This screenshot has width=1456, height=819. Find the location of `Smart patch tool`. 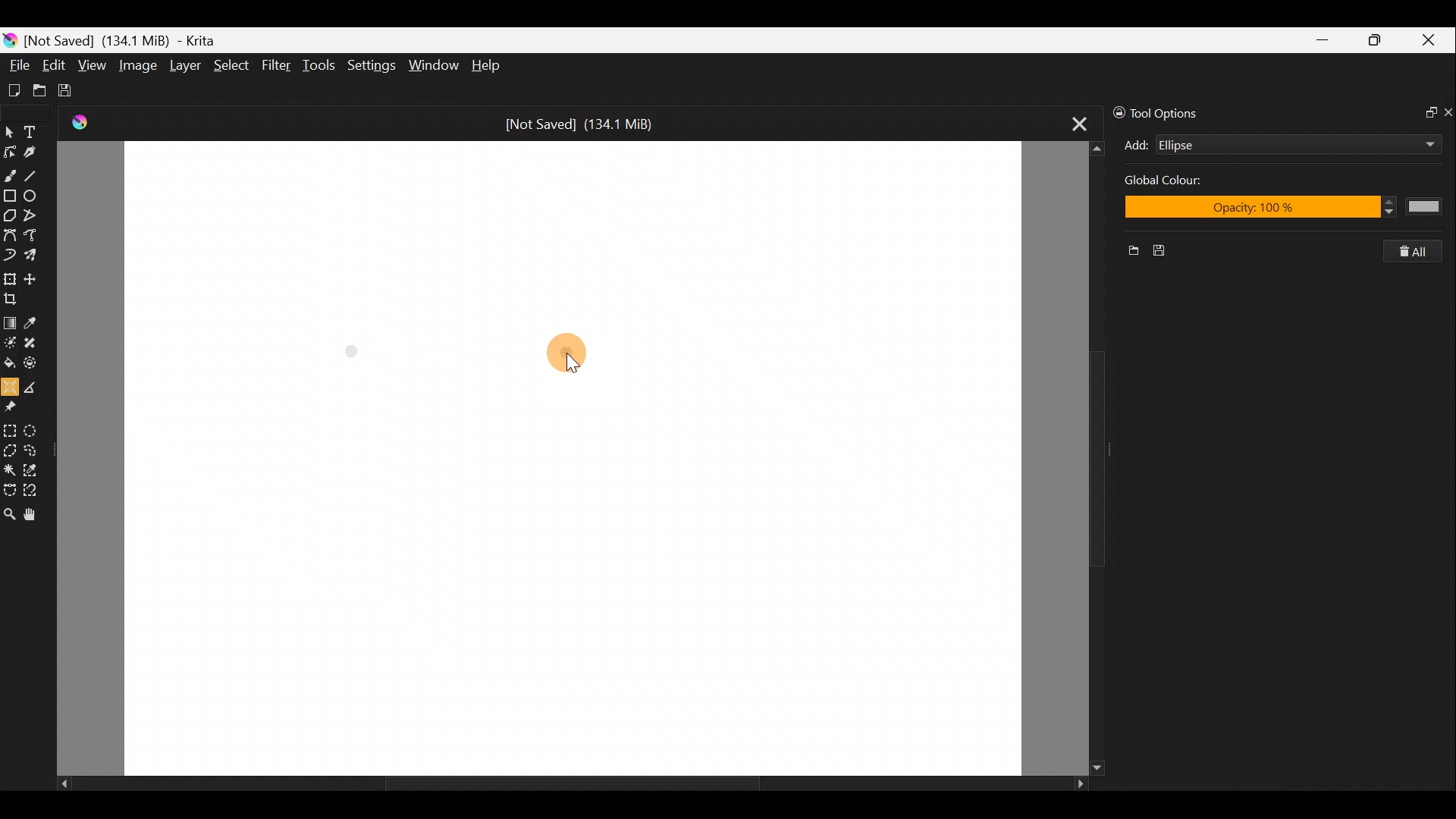

Smart patch tool is located at coordinates (37, 345).